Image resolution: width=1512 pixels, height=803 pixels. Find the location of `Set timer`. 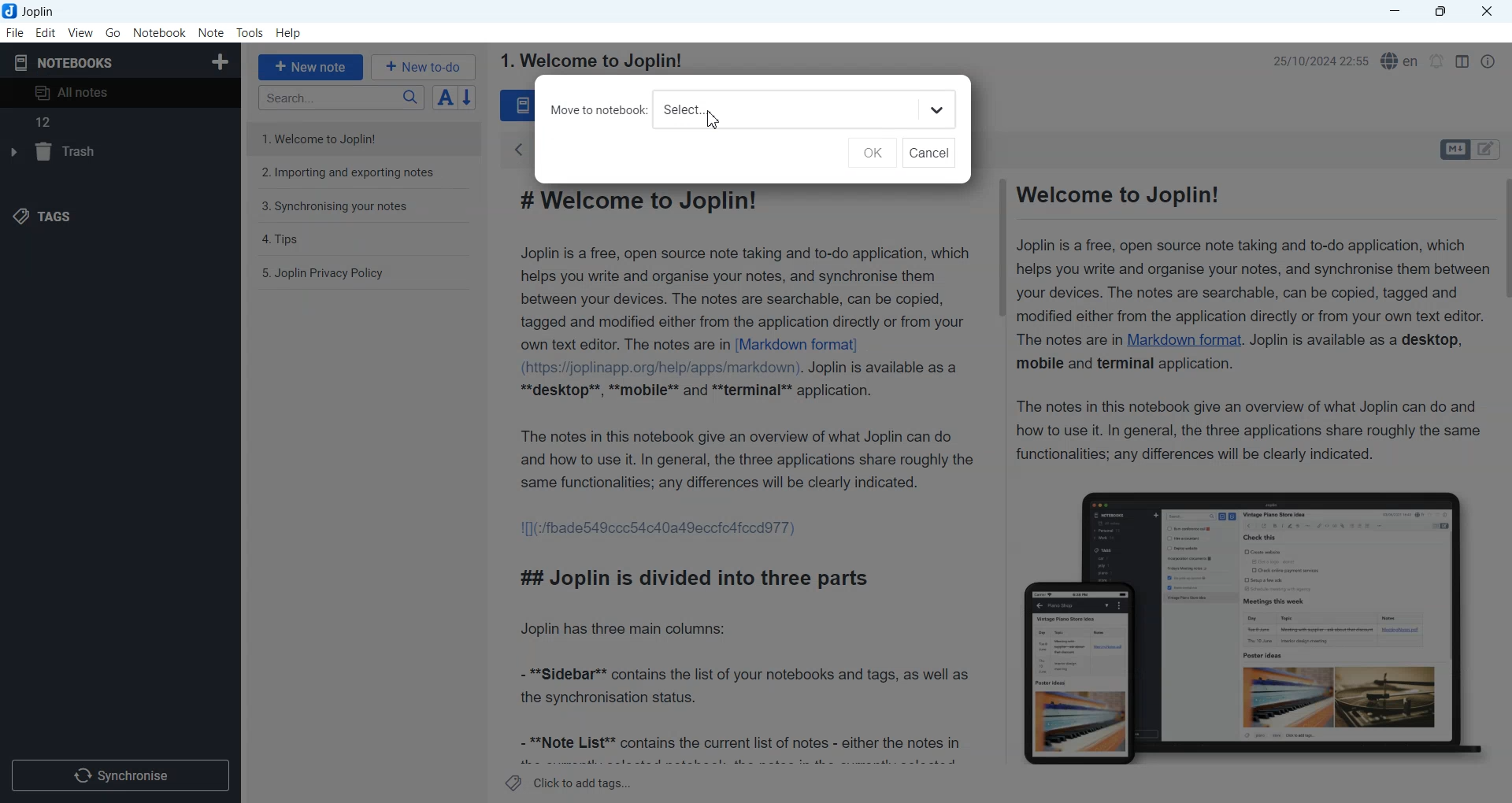

Set timer is located at coordinates (1437, 61).